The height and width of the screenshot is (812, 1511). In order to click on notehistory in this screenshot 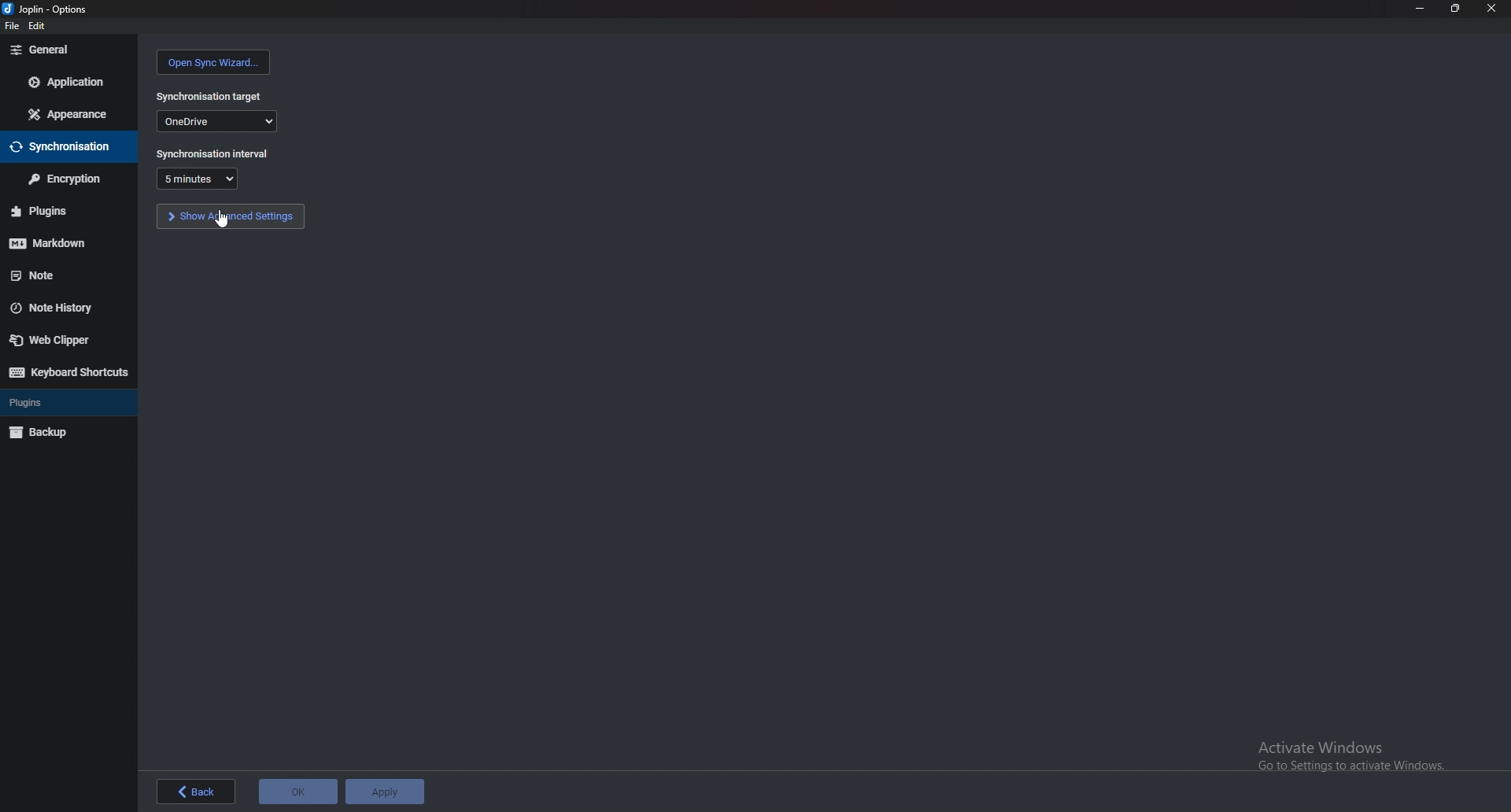, I will do `click(65, 308)`.